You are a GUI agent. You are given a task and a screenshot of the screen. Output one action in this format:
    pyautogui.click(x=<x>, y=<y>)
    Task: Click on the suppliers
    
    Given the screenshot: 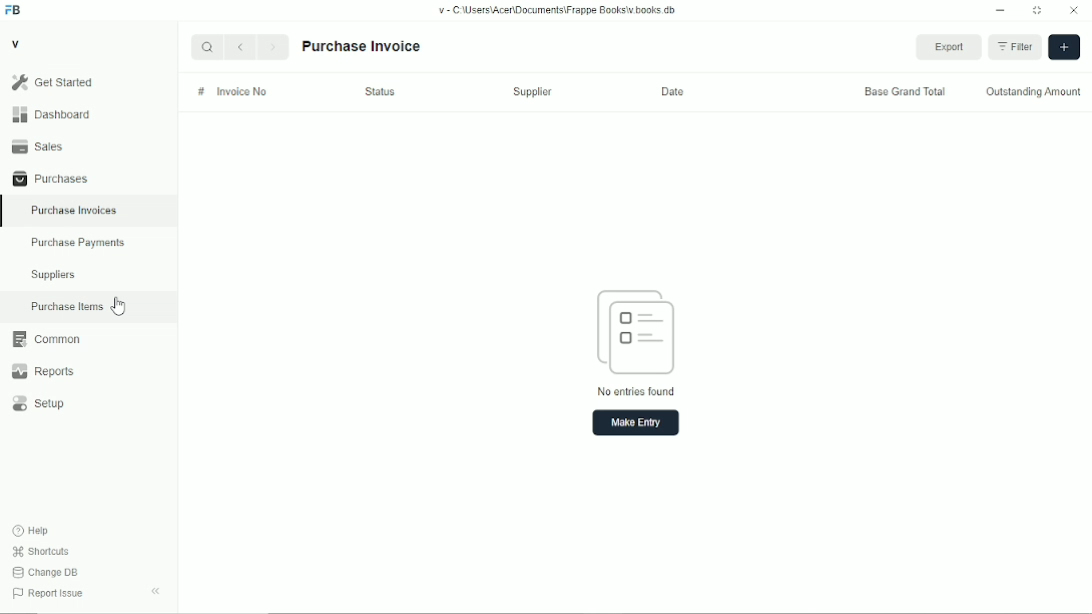 What is the action you would take?
    pyautogui.click(x=53, y=275)
    